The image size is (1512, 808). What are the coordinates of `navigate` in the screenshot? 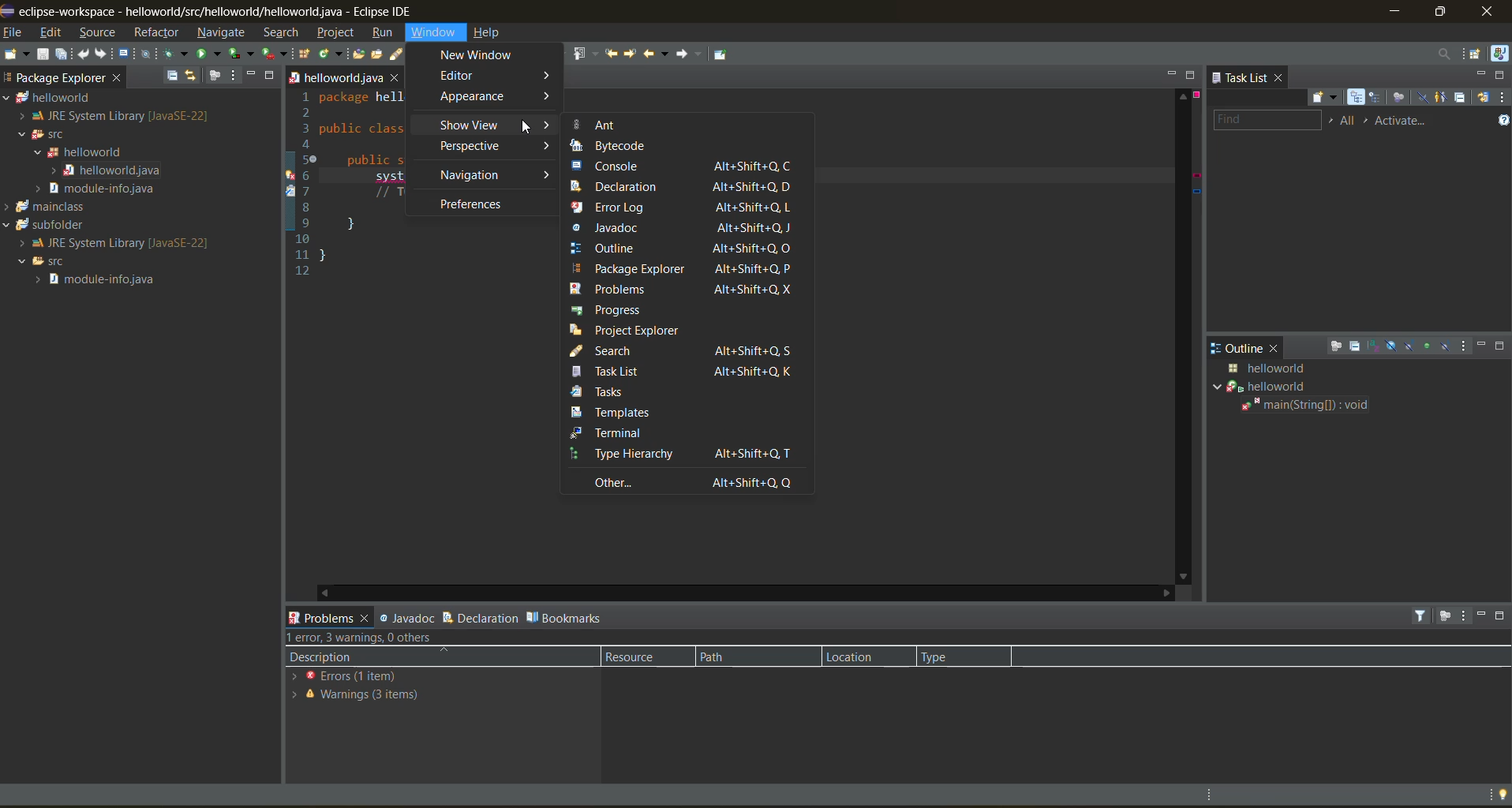 It's located at (220, 34).